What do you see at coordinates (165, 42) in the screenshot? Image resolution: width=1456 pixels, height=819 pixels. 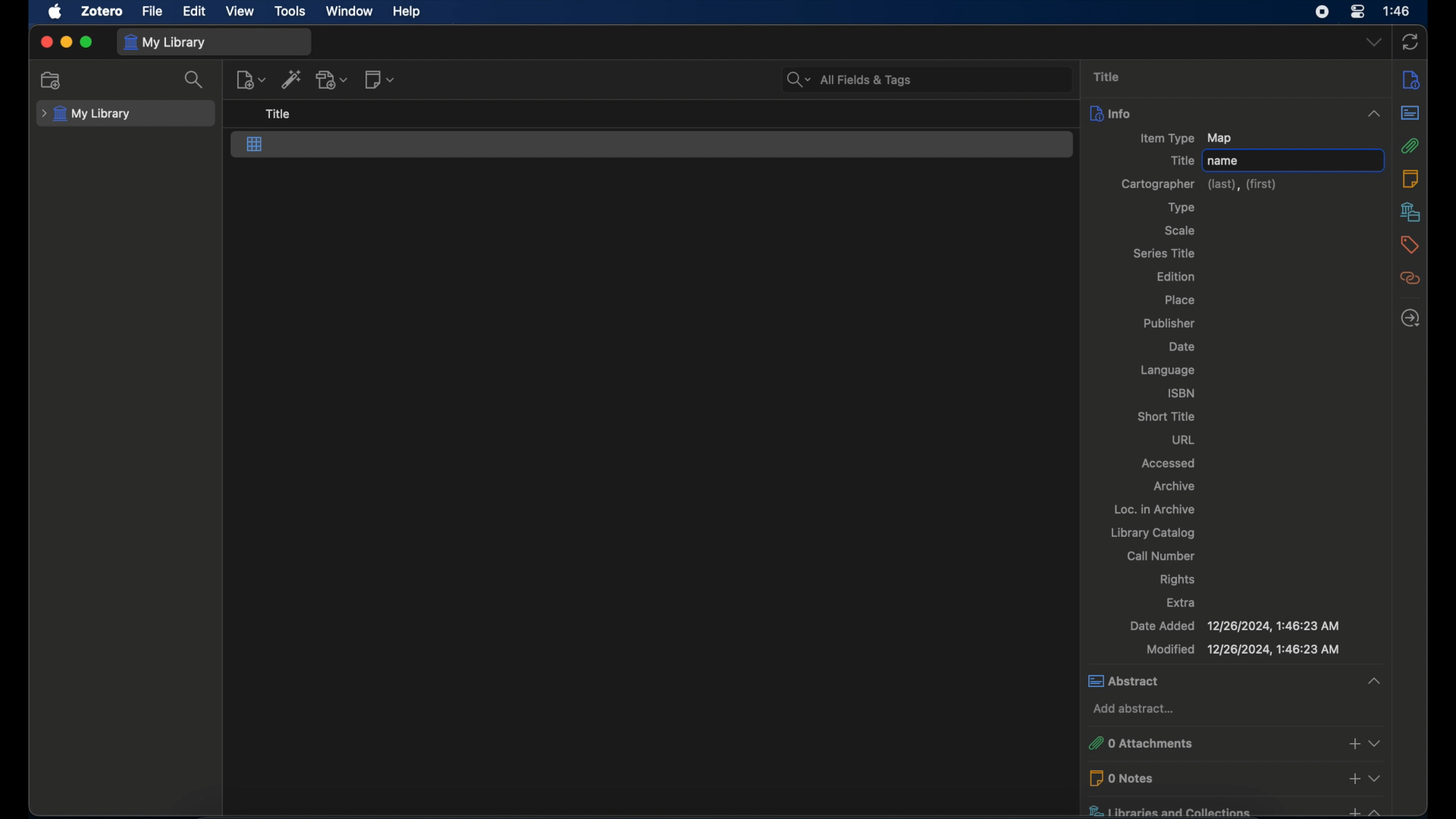 I see `my library` at bounding box center [165, 42].